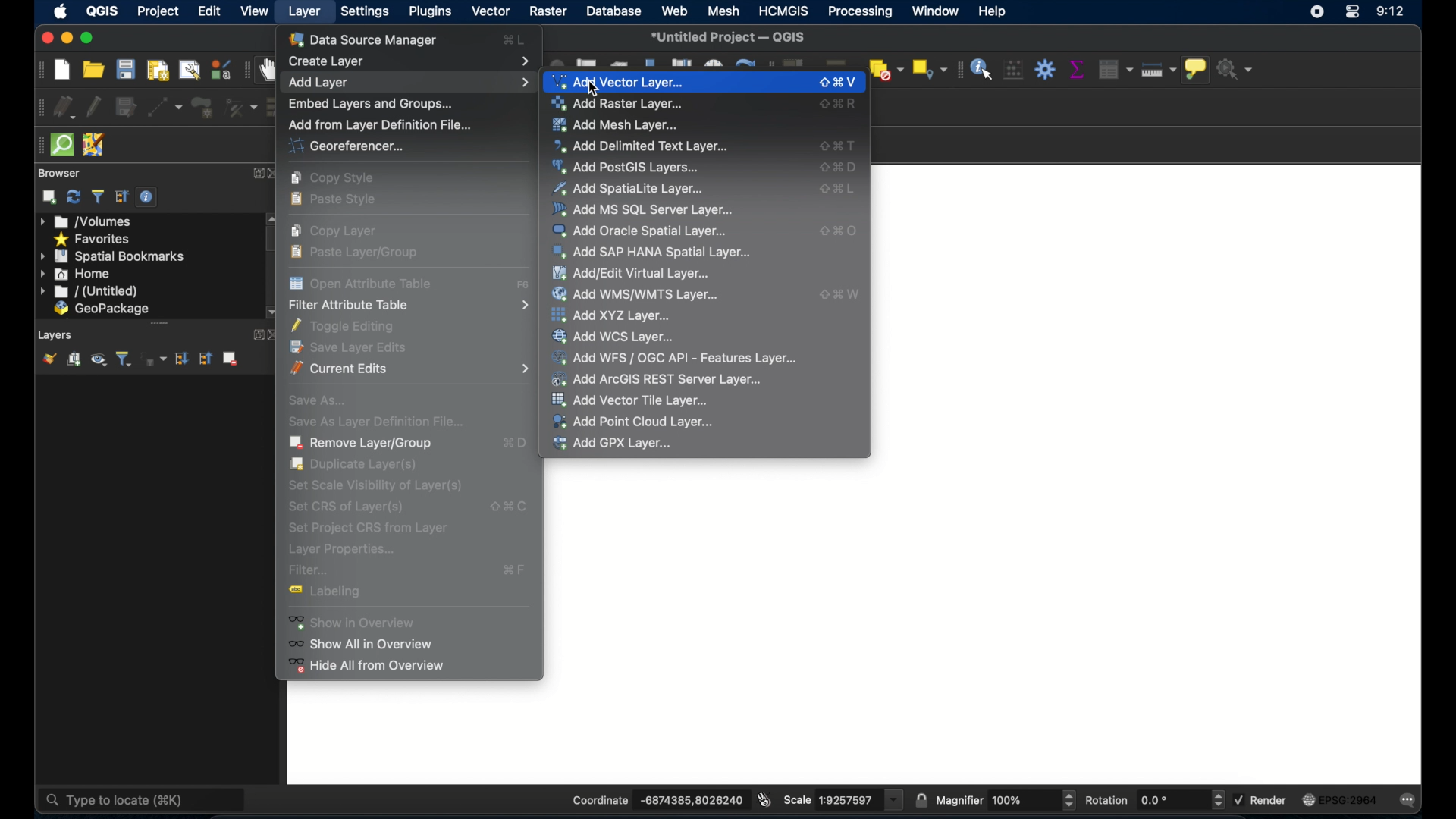  What do you see at coordinates (1262, 801) in the screenshot?
I see `render` at bounding box center [1262, 801].